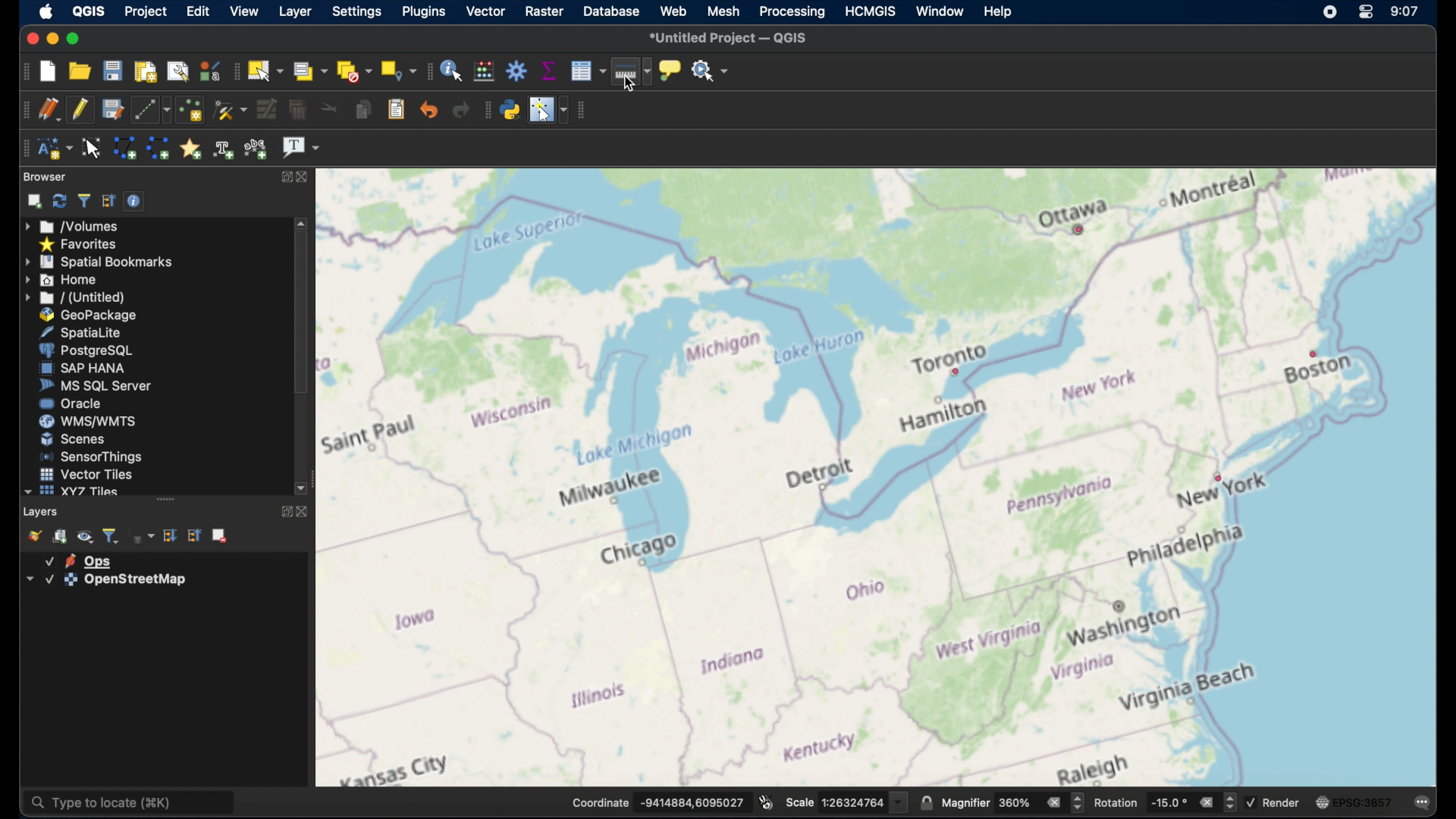 The image size is (1456, 819). Describe the element at coordinates (71, 404) in the screenshot. I see `oracle` at that location.